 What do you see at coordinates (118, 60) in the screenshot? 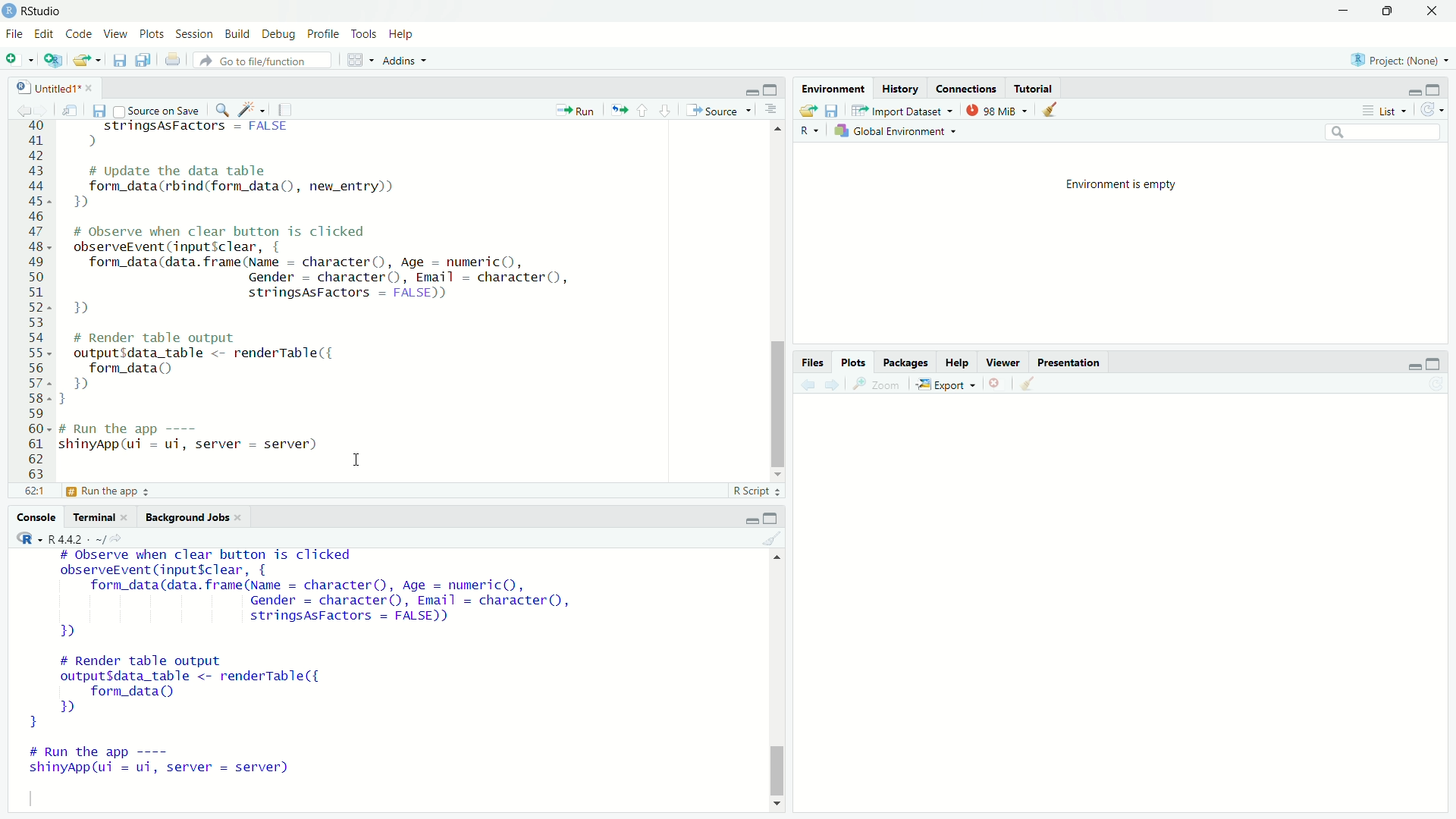
I see `save current documents` at bounding box center [118, 60].